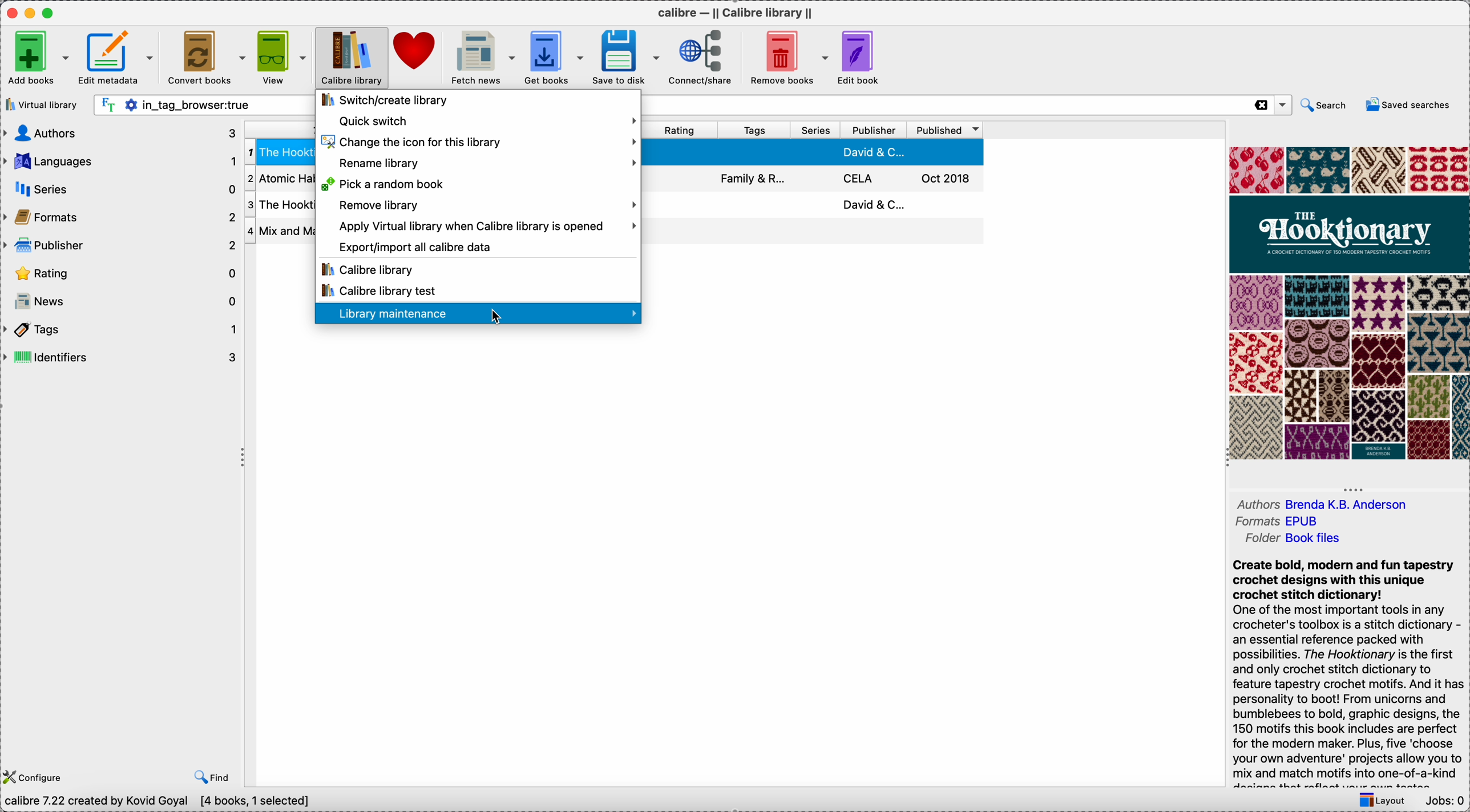 Image resolution: width=1470 pixels, height=812 pixels. Describe the element at coordinates (480, 143) in the screenshot. I see `change the icon for this library` at that location.